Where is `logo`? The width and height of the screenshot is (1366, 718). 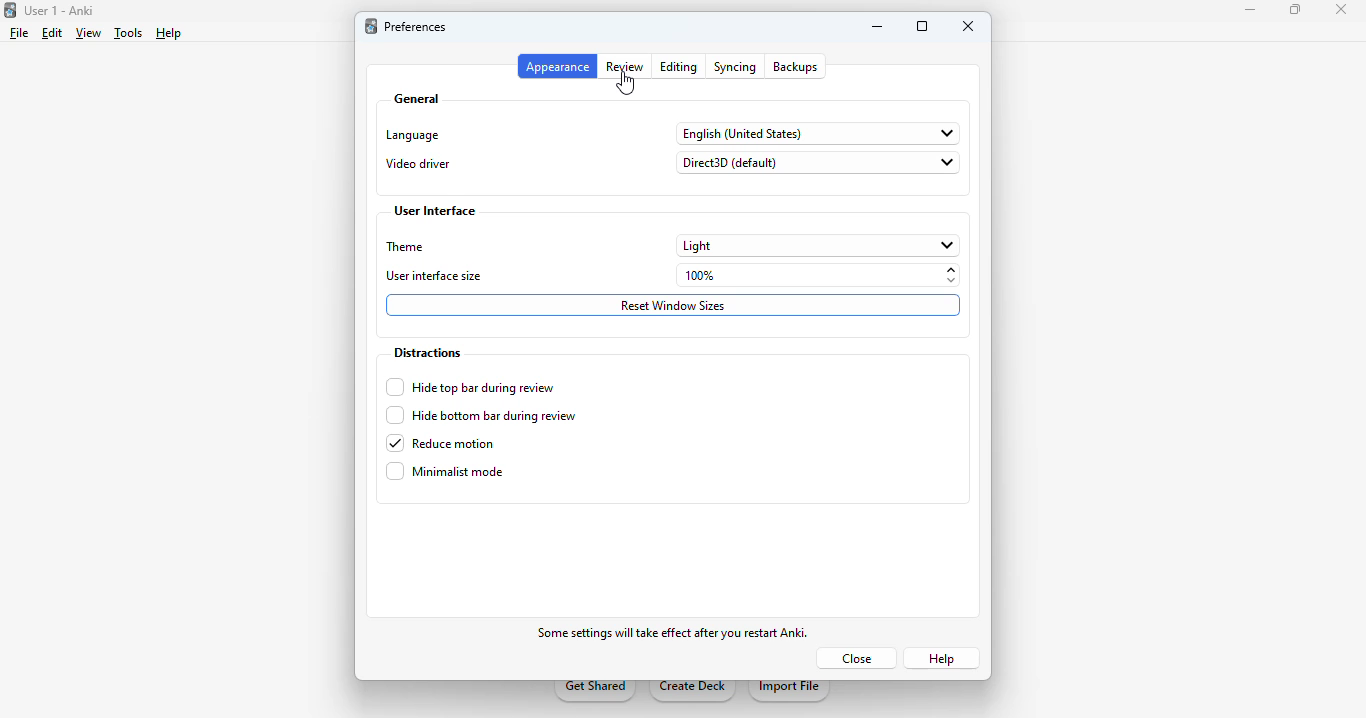 logo is located at coordinates (371, 26).